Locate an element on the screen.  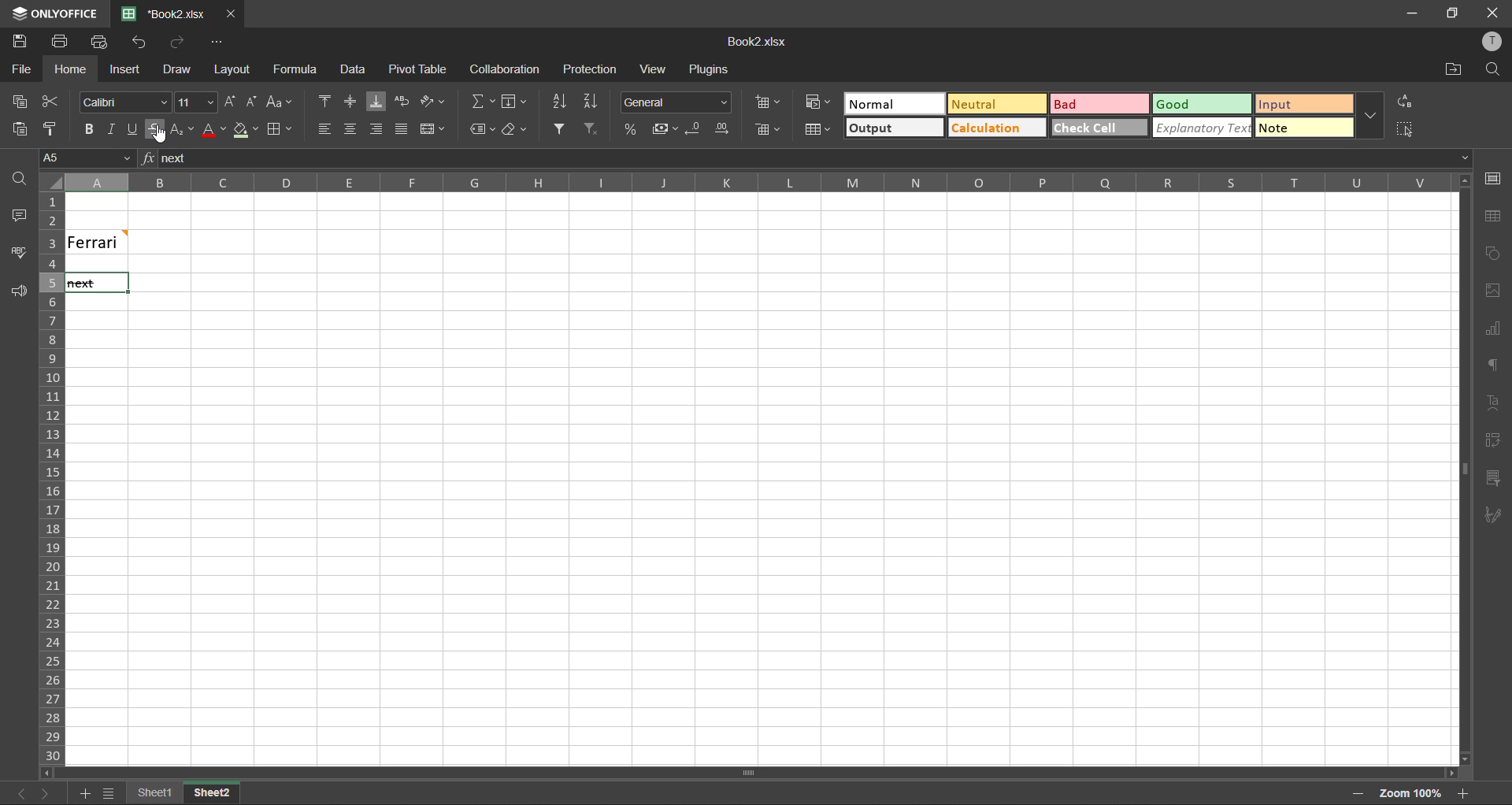
formula bar is located at coordinates (807, 158).